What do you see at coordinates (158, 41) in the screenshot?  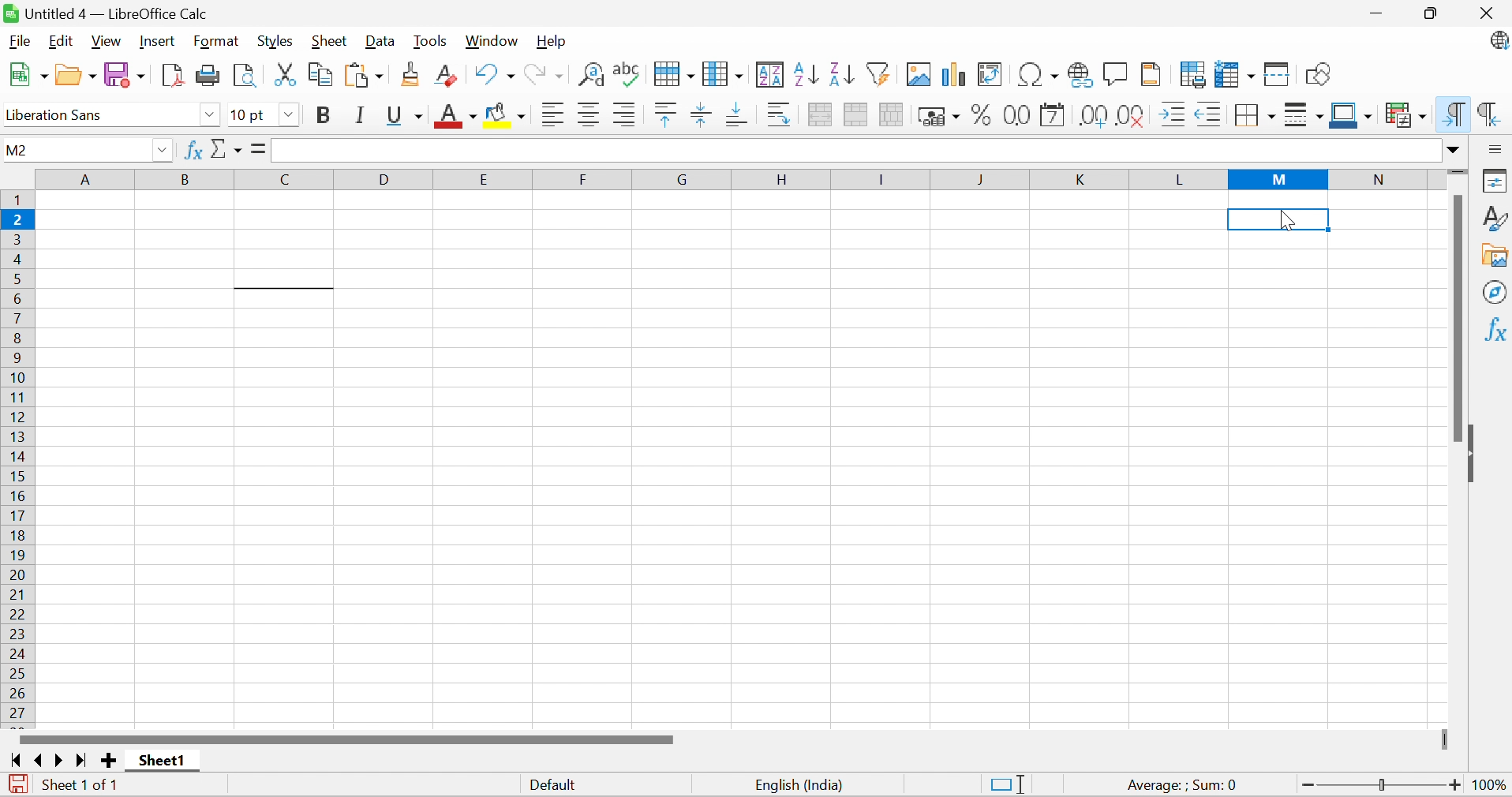 I see `Insert` at bounding box center [158, 41].